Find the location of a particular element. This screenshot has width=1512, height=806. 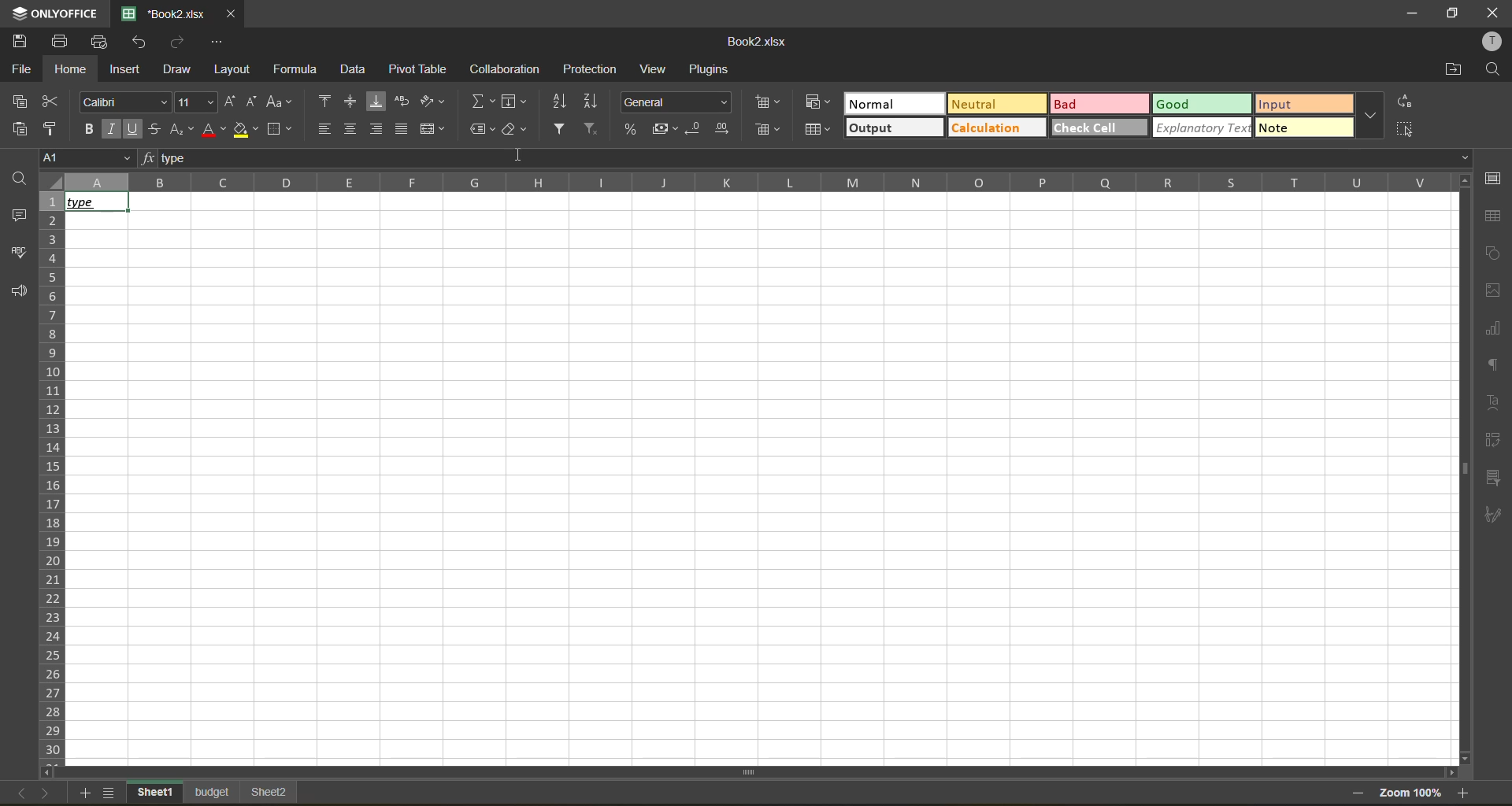

align right is located at coordinates (376, 131).